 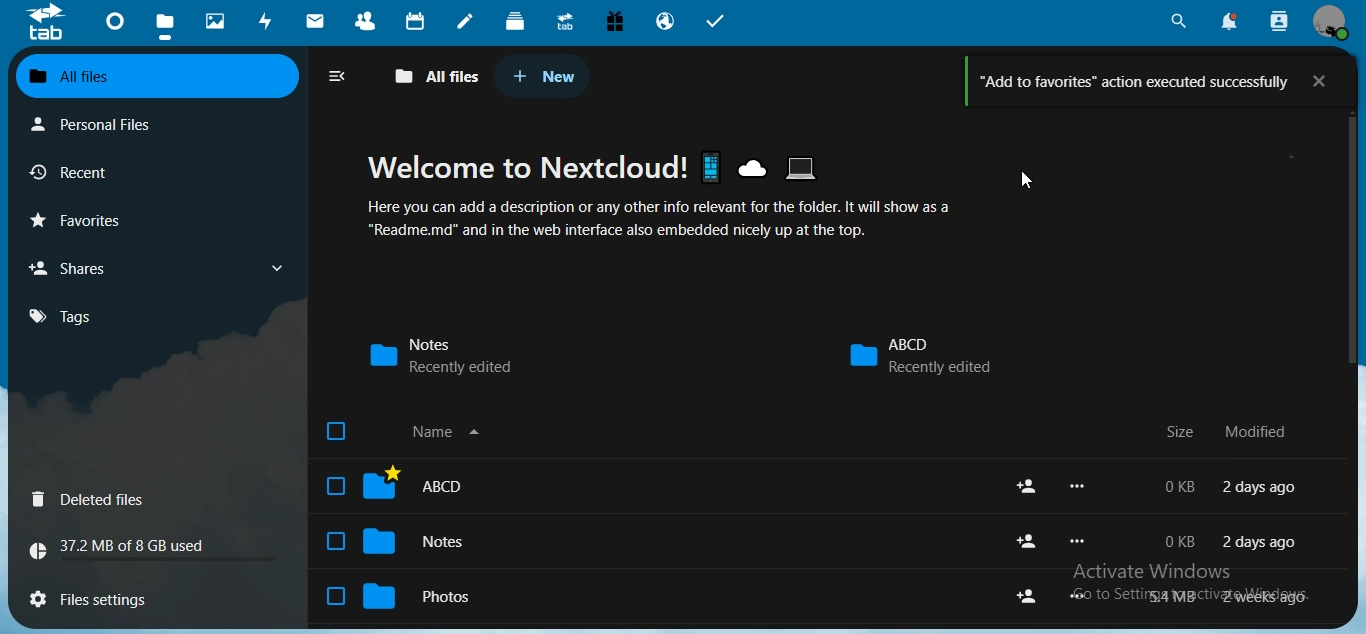 What do you see at coordinates (1027, 182) in the screenshot?
I see `Mouse Cursor` at bounding box center [1027, 182].